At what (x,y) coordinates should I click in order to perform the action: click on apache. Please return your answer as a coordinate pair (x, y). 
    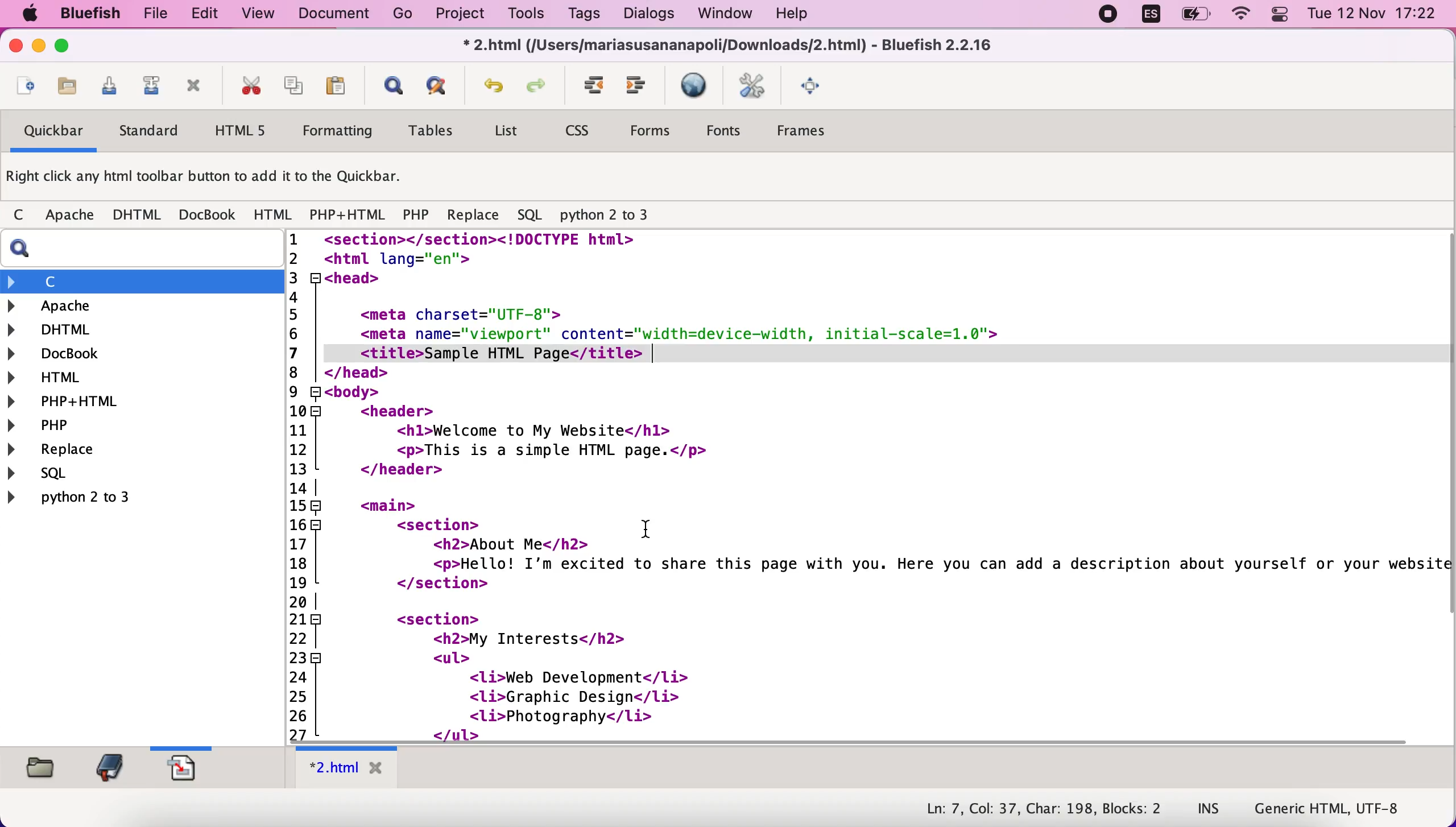
    Looking at the image, I should click on (73, 215).